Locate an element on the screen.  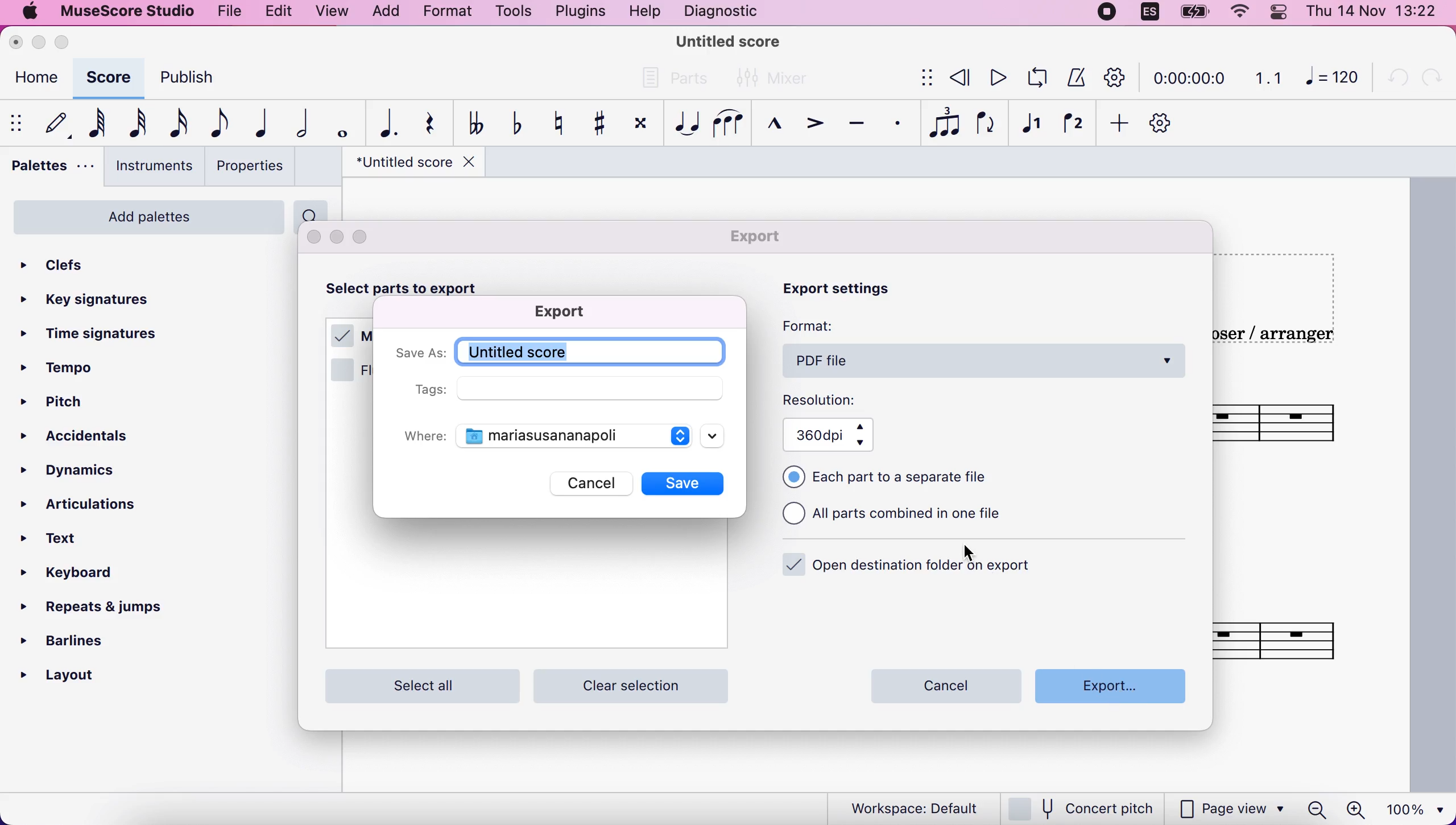
customize toolbar is located at coordinates (1165, 122).